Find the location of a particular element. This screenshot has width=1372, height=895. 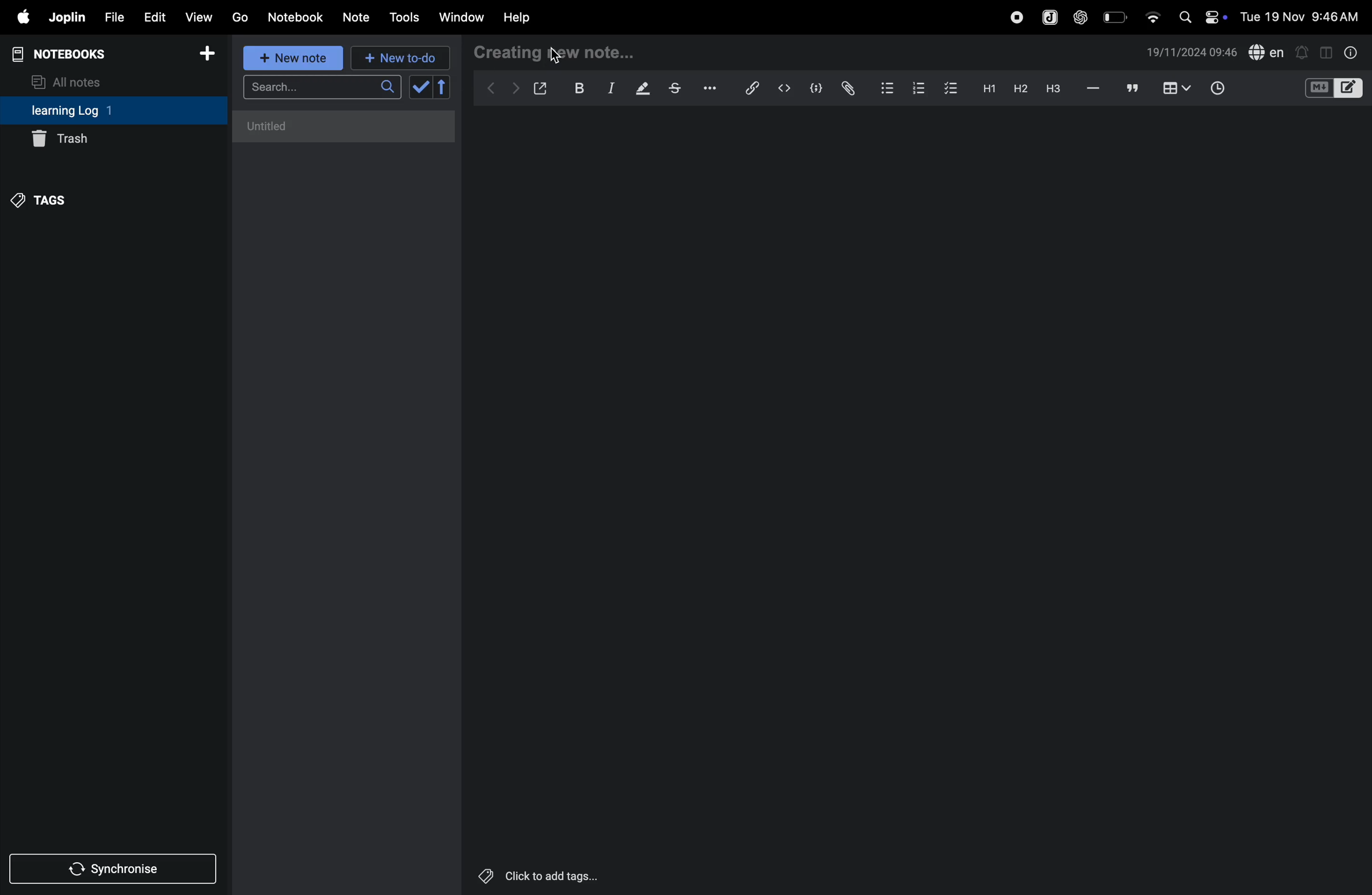

new to do is located at coordinates (395, 55).